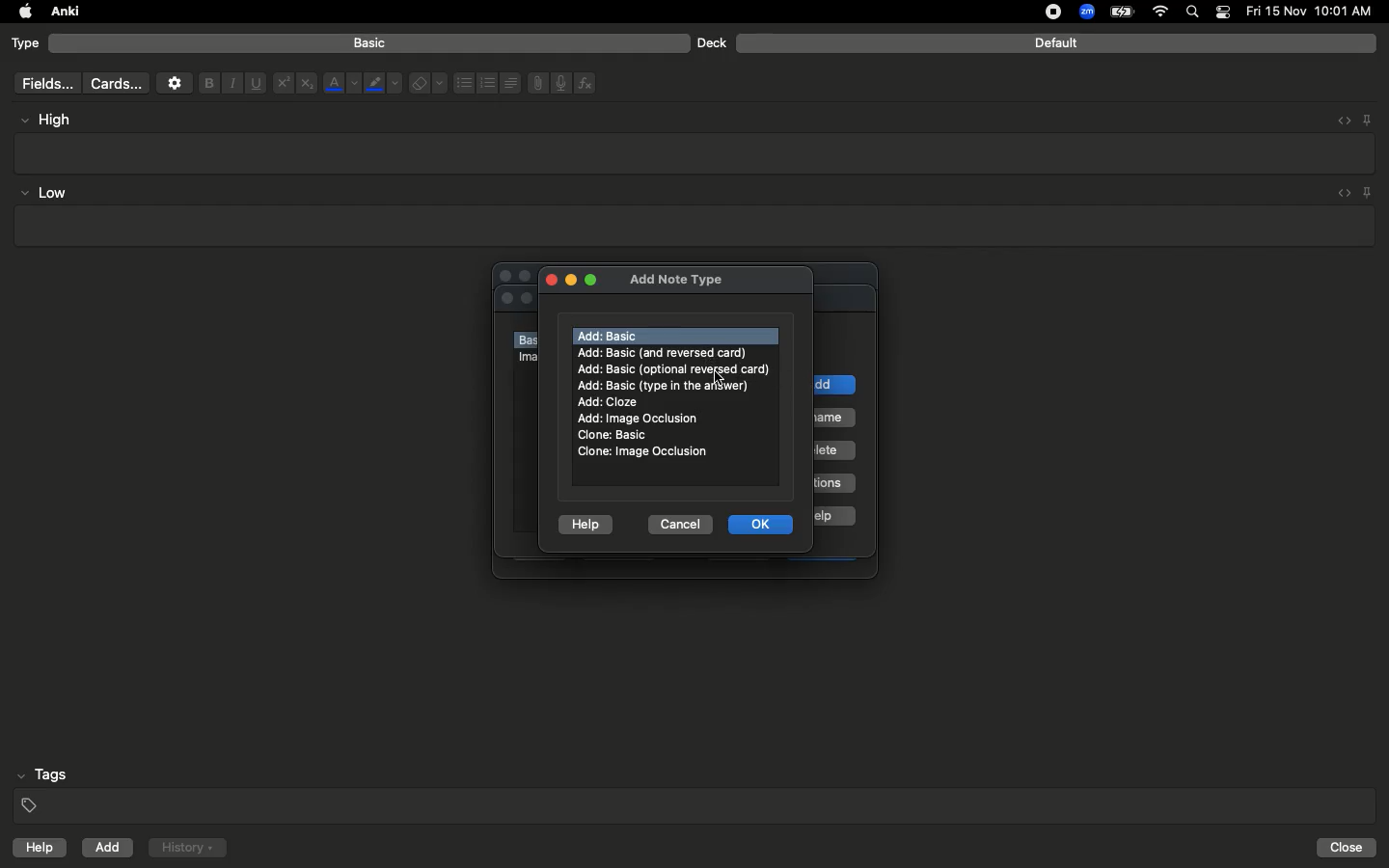 The image size is (1389, 868). What do you see at coordinates (109, 848) in the screenshot?
I see `Add` at bounding box center [109, 848].